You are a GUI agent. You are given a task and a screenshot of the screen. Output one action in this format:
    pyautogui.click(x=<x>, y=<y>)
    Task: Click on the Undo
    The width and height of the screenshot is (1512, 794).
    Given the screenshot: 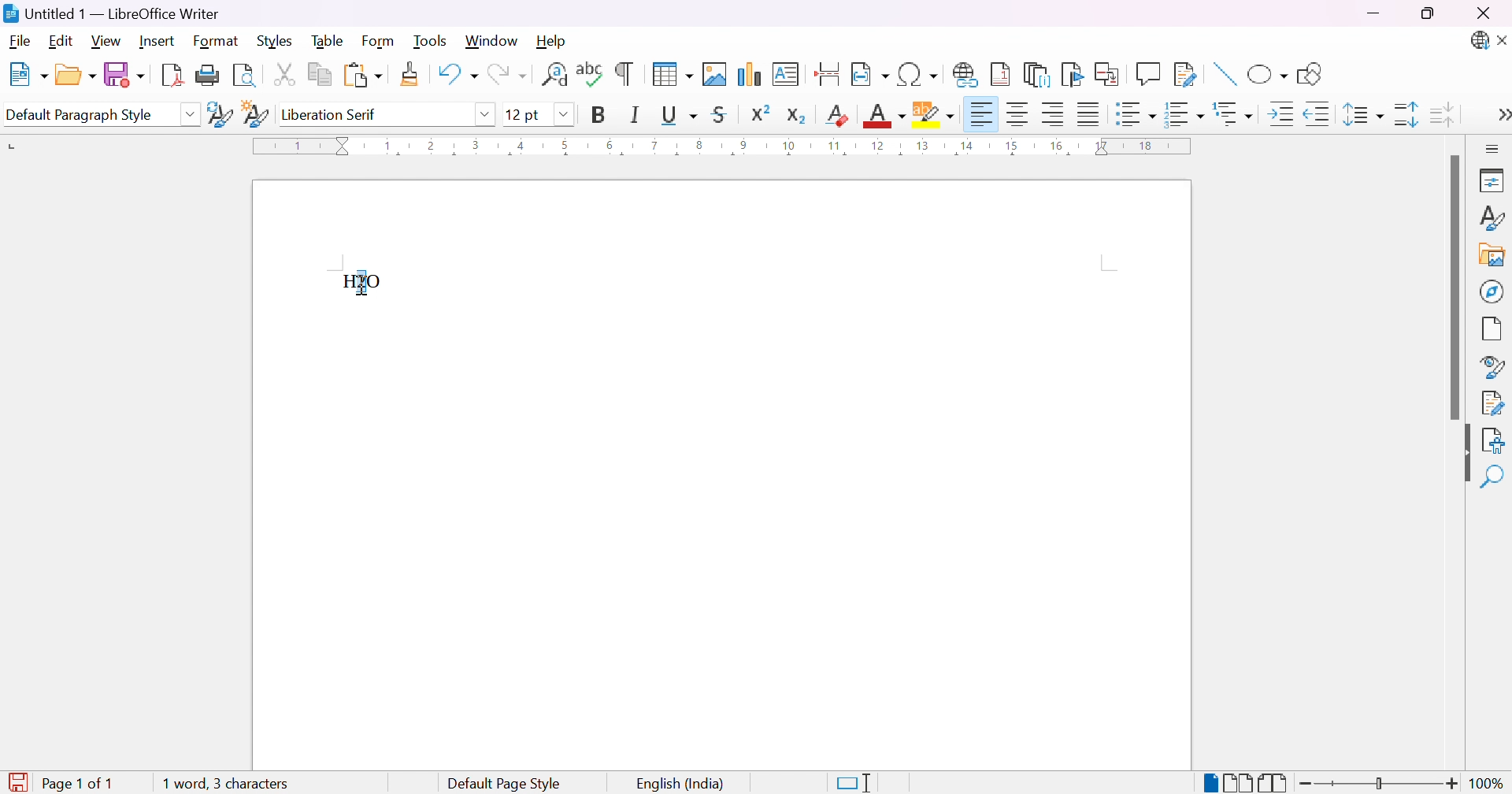 What is the action you would take?
    pyautogui.click(x=456, y=78)
    